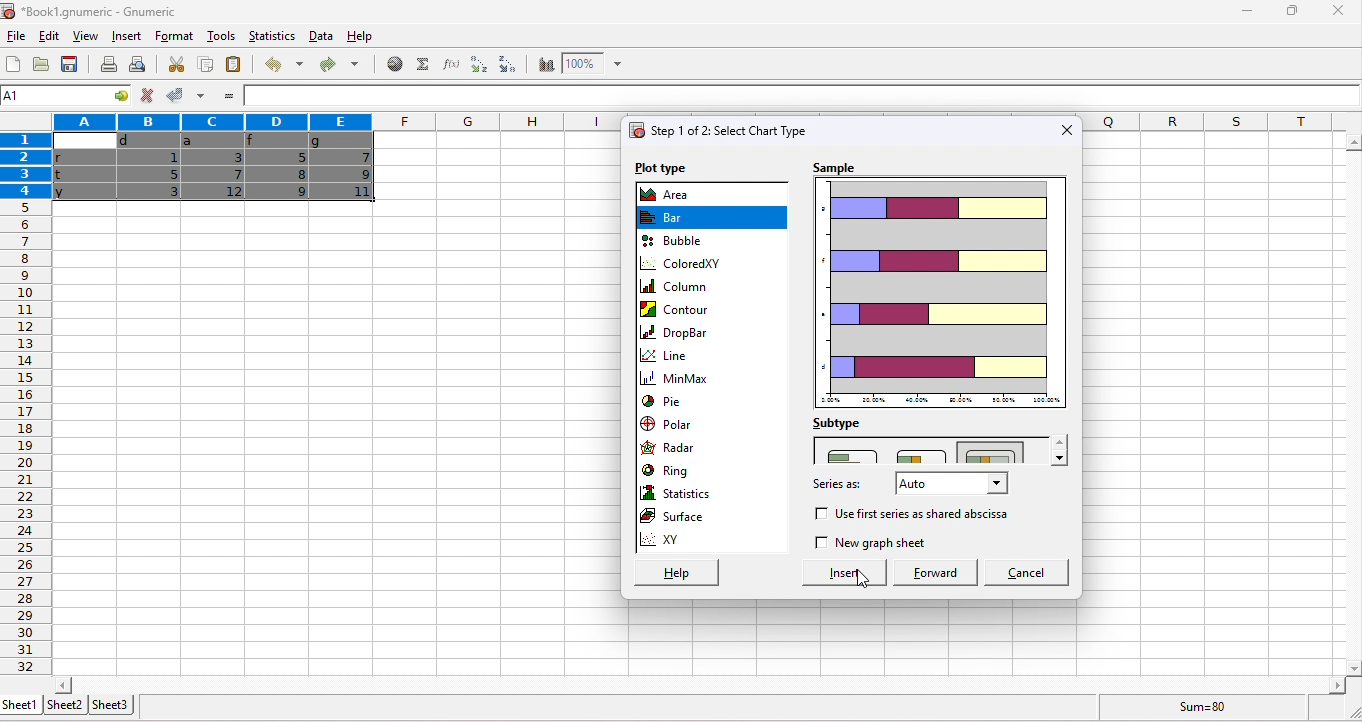 This screenshot has width=1362, height=722. I want to click on =, so click(231, 96).